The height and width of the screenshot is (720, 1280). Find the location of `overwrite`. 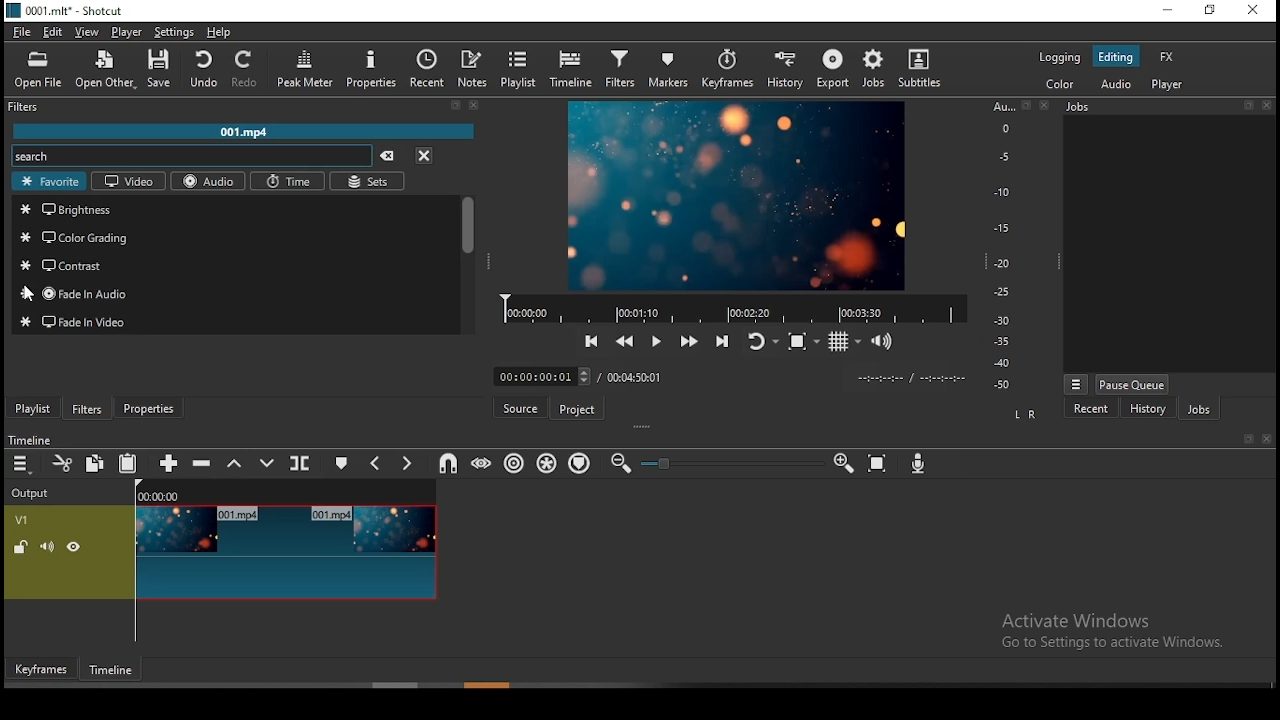

overwrite is located at coordinates (270, 462).